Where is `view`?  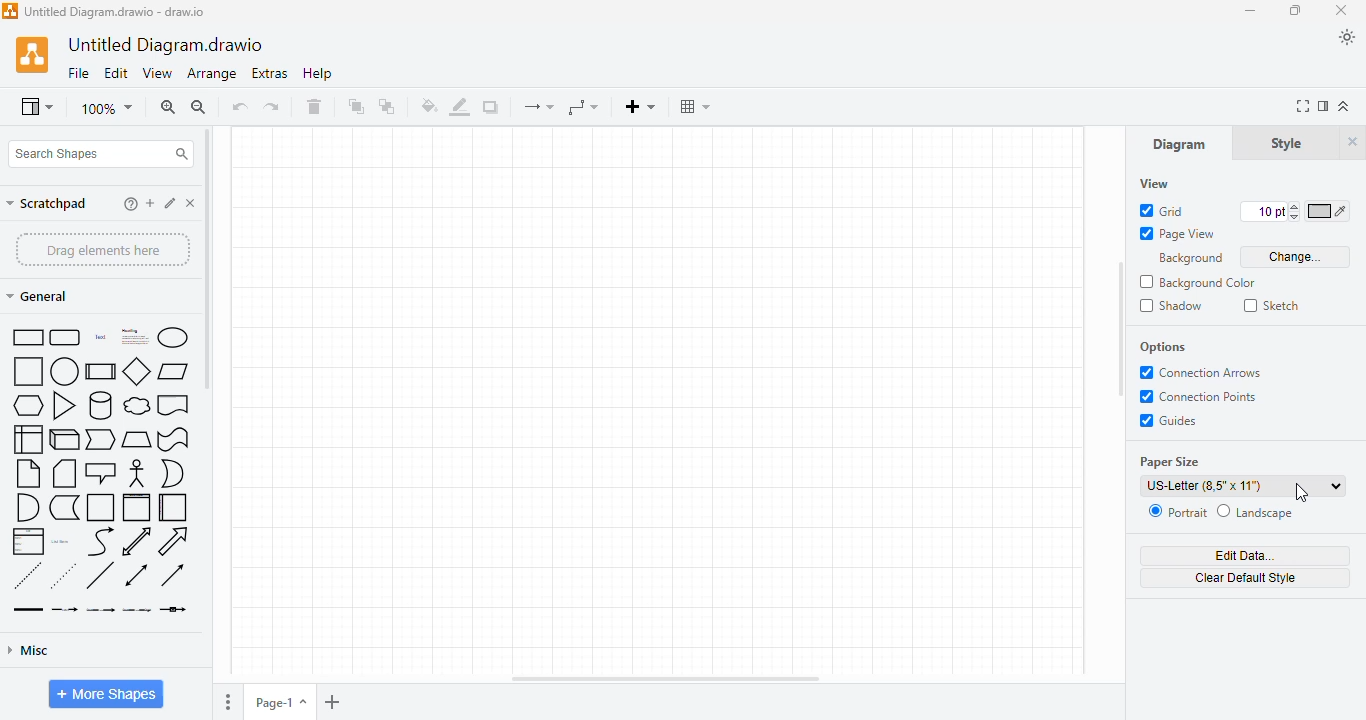 view is located at coordinates (1154, 184).